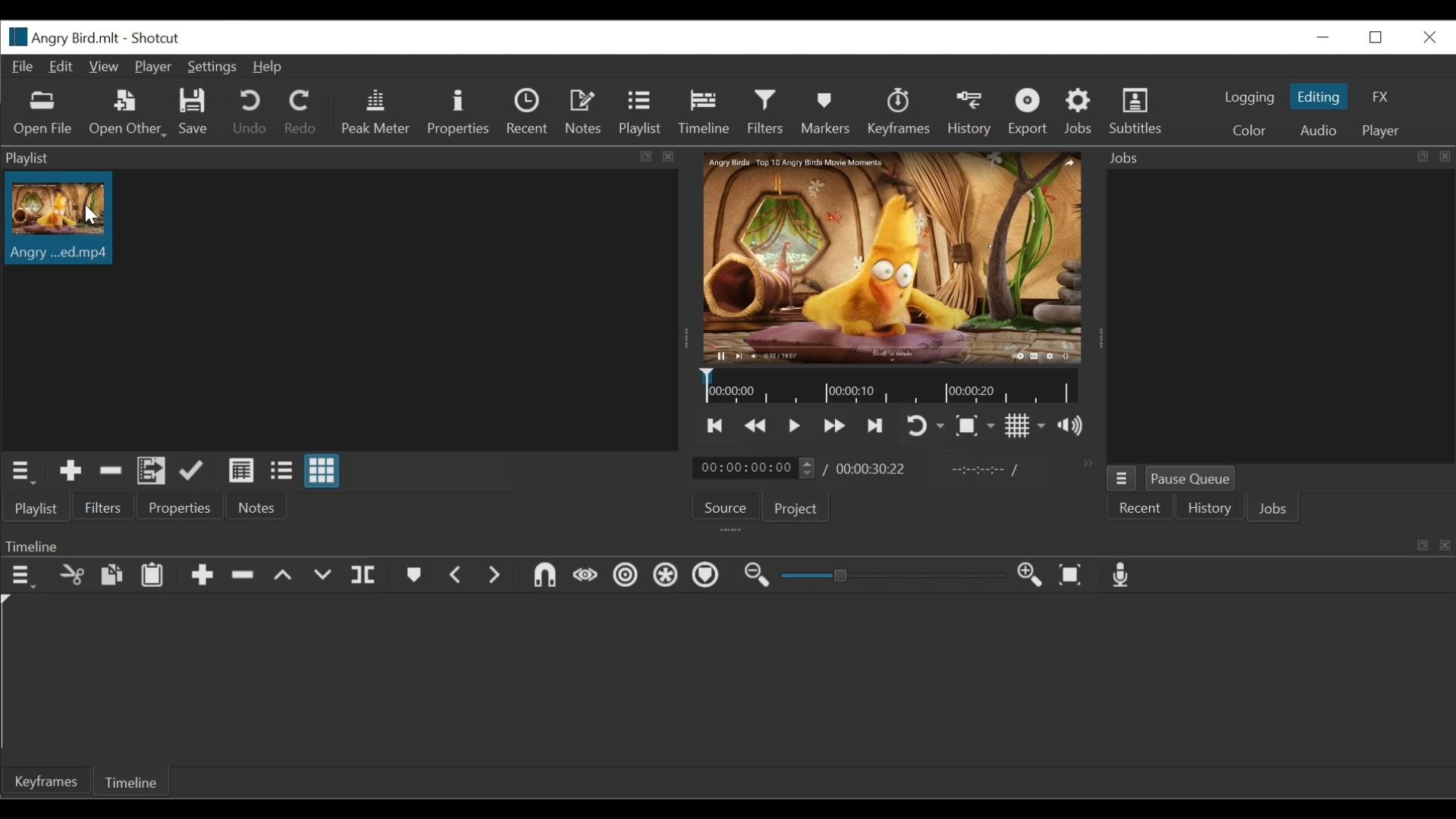 Image resolution: width=1456 pixels, height=819 pixels. Describe the element at coordinates (102, 67) in the screenshot. I see `View` at that location.